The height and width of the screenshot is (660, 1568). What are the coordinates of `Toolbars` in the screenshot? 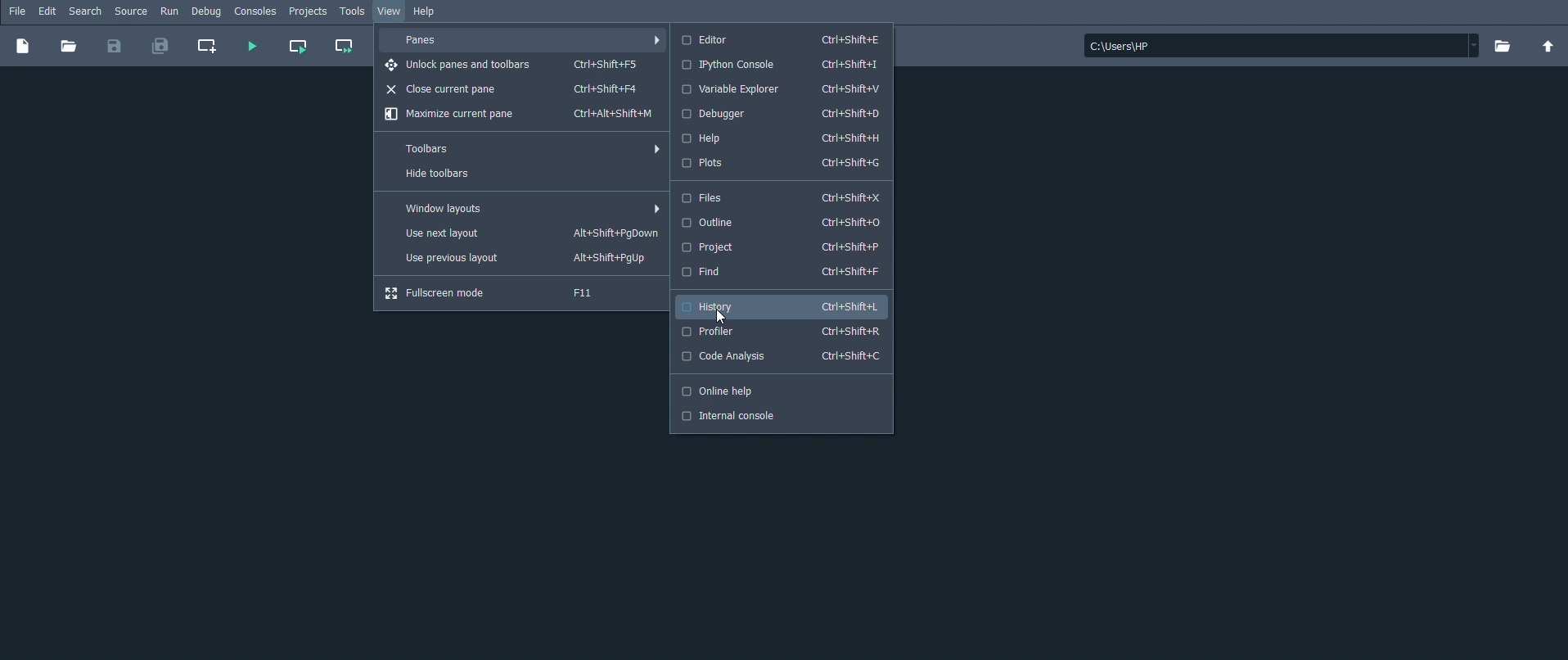 It's located at (523, 149).